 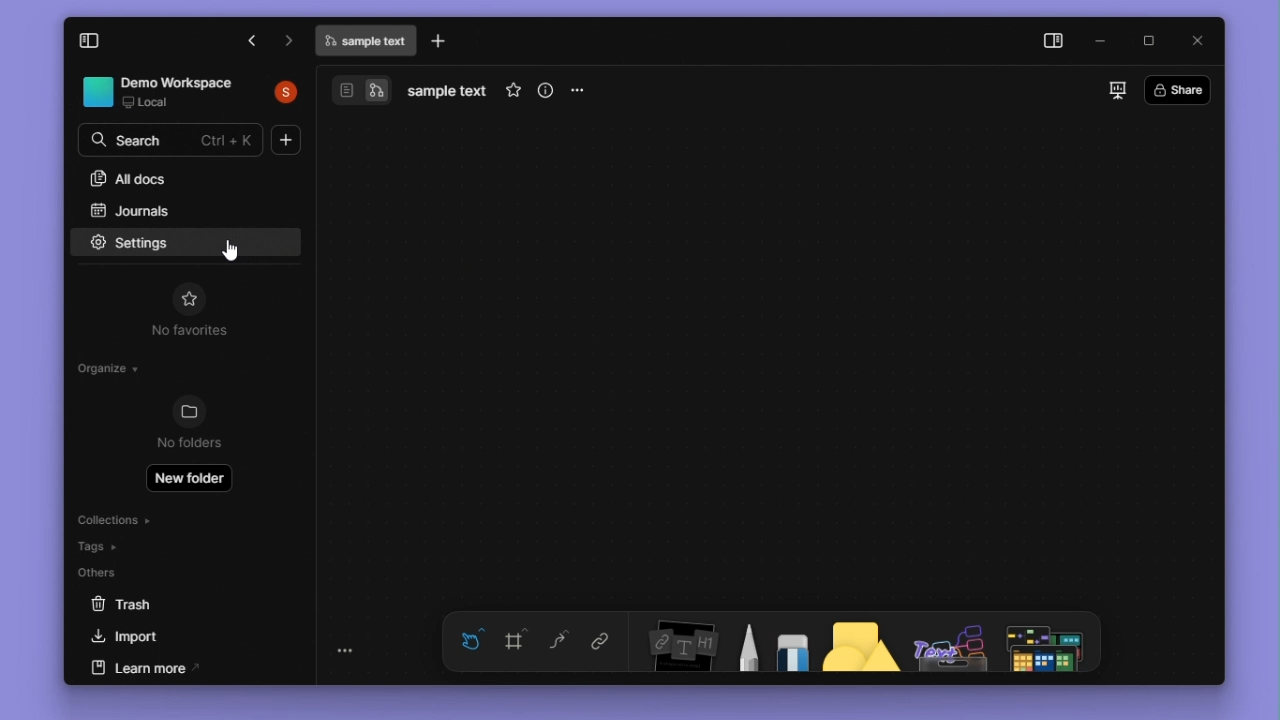 What do you see at coordinates (607, 639) in the screenshot?
I see `link` at bounding box center [607, 639].